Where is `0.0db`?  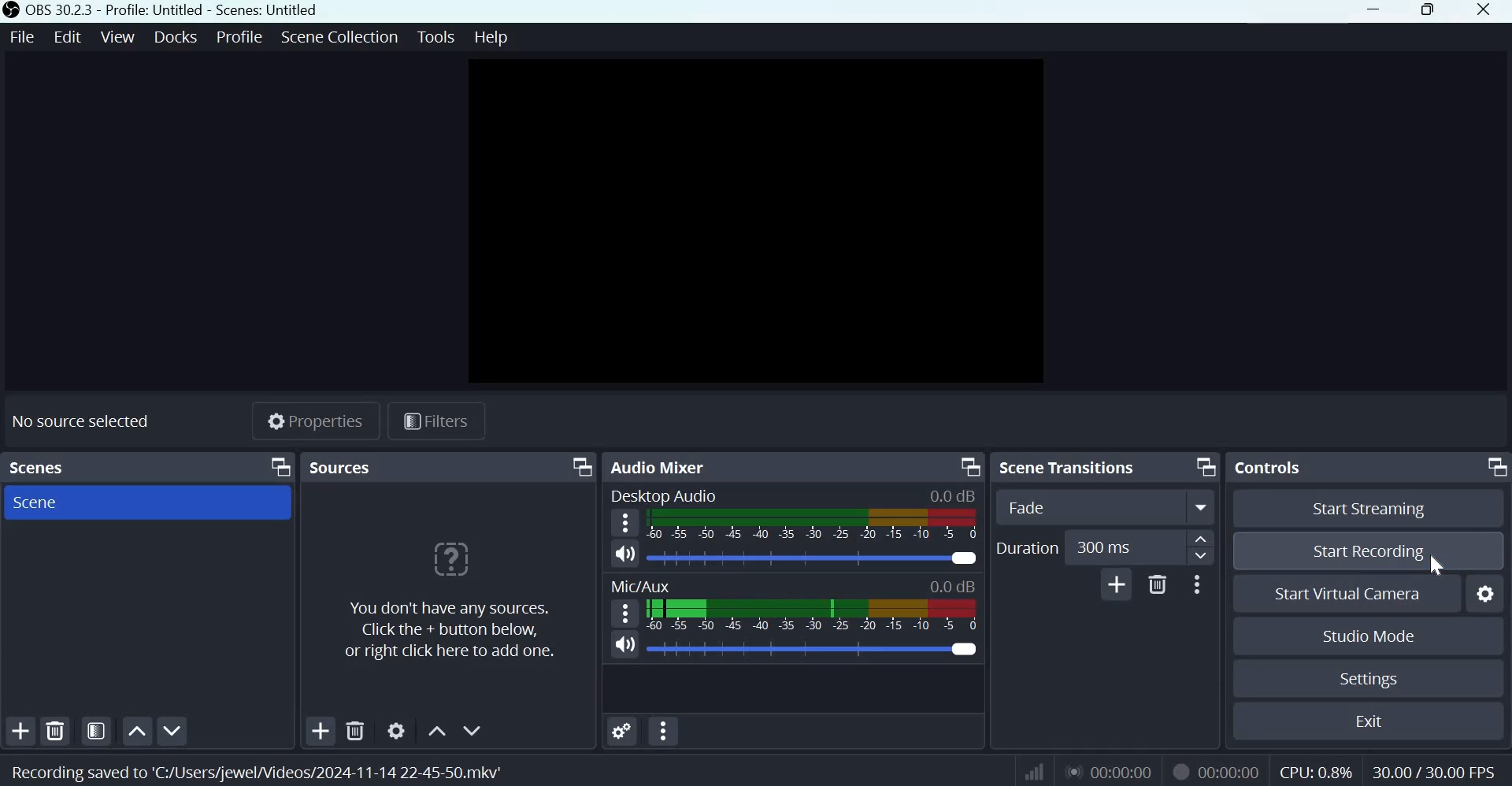 0.0db is located at coordinates (950, 586).